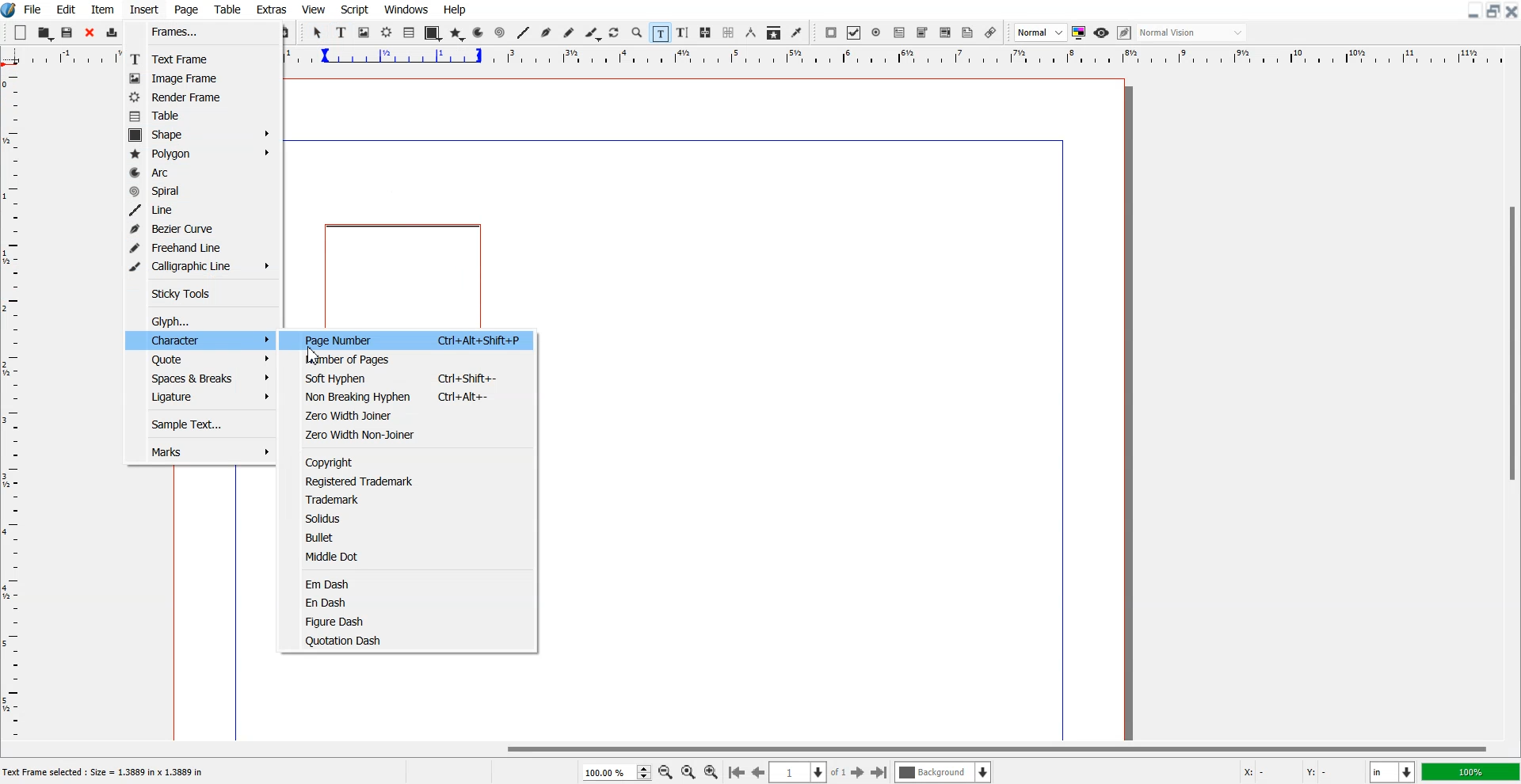 This screenshot has height=784, width=1521. Describe the element at coordinates (1191, 32) in the screenshot. I see `Select the visual appearance` at that location.